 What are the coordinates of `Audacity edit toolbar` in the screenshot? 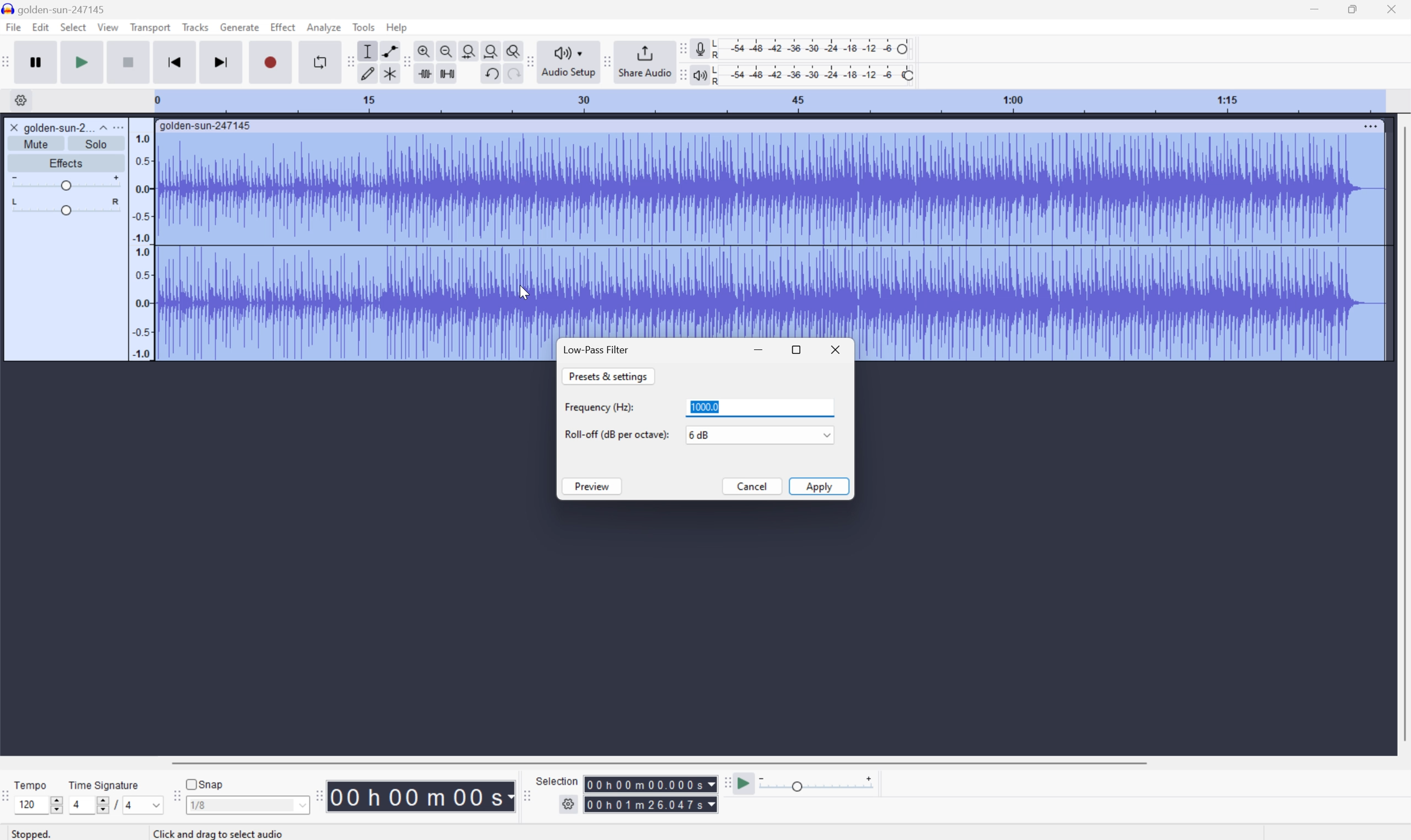 It's located at (406, 63).